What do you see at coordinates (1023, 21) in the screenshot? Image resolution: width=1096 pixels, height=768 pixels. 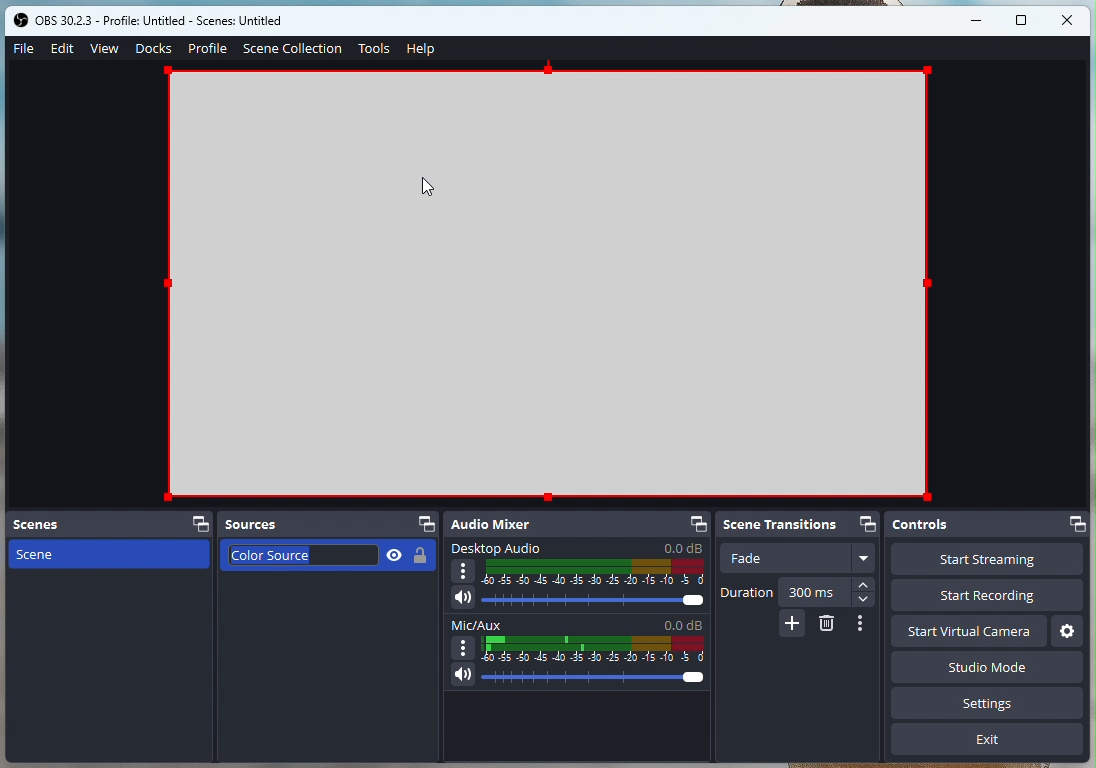 I see `maximise` at bounding box center [1023, 21].